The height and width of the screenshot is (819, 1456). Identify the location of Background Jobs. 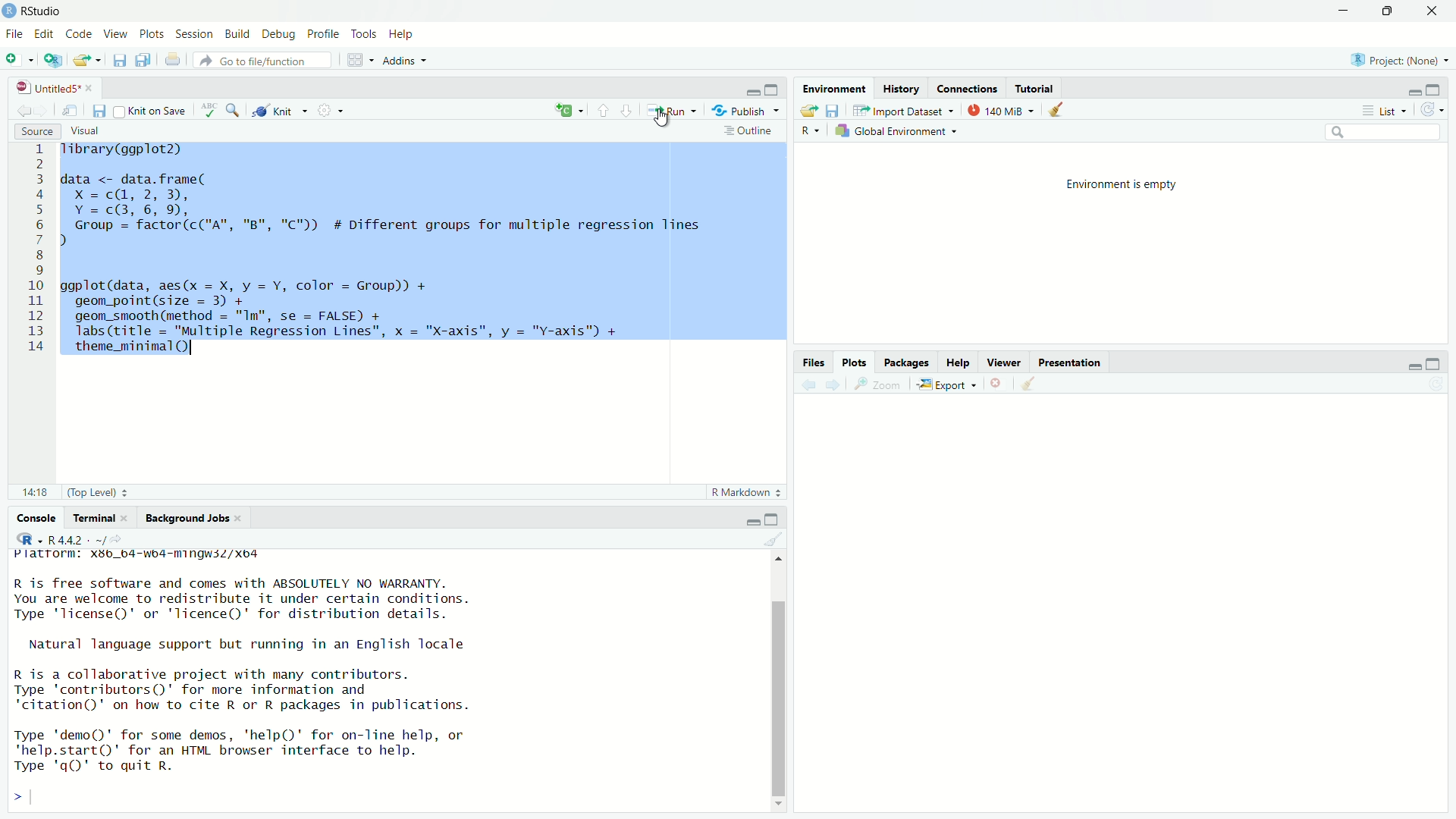
(184, 517).